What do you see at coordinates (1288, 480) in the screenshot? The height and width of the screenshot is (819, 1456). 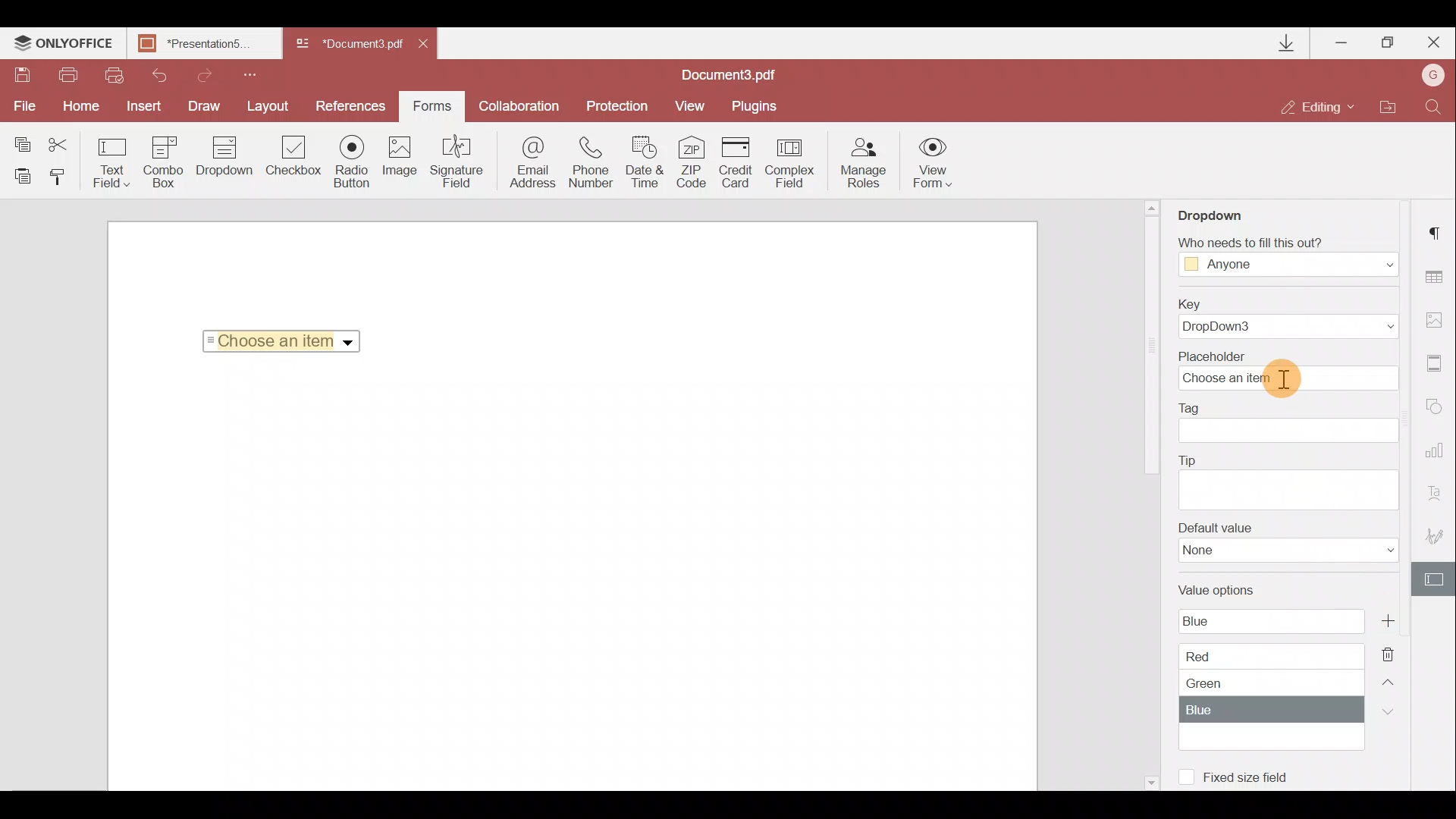 I see `Tip` at bounding box center [1288, 480].